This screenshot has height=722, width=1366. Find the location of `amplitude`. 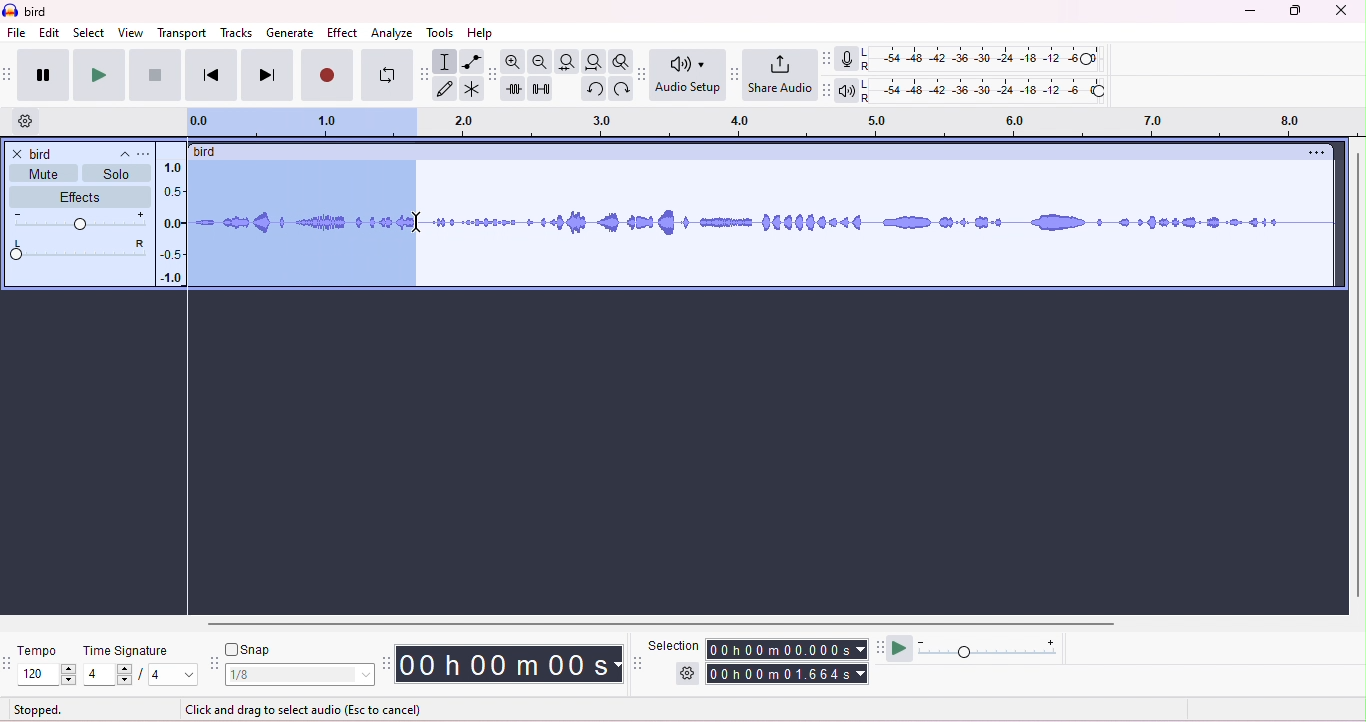

amplitude is located at coordinates (171, 220).